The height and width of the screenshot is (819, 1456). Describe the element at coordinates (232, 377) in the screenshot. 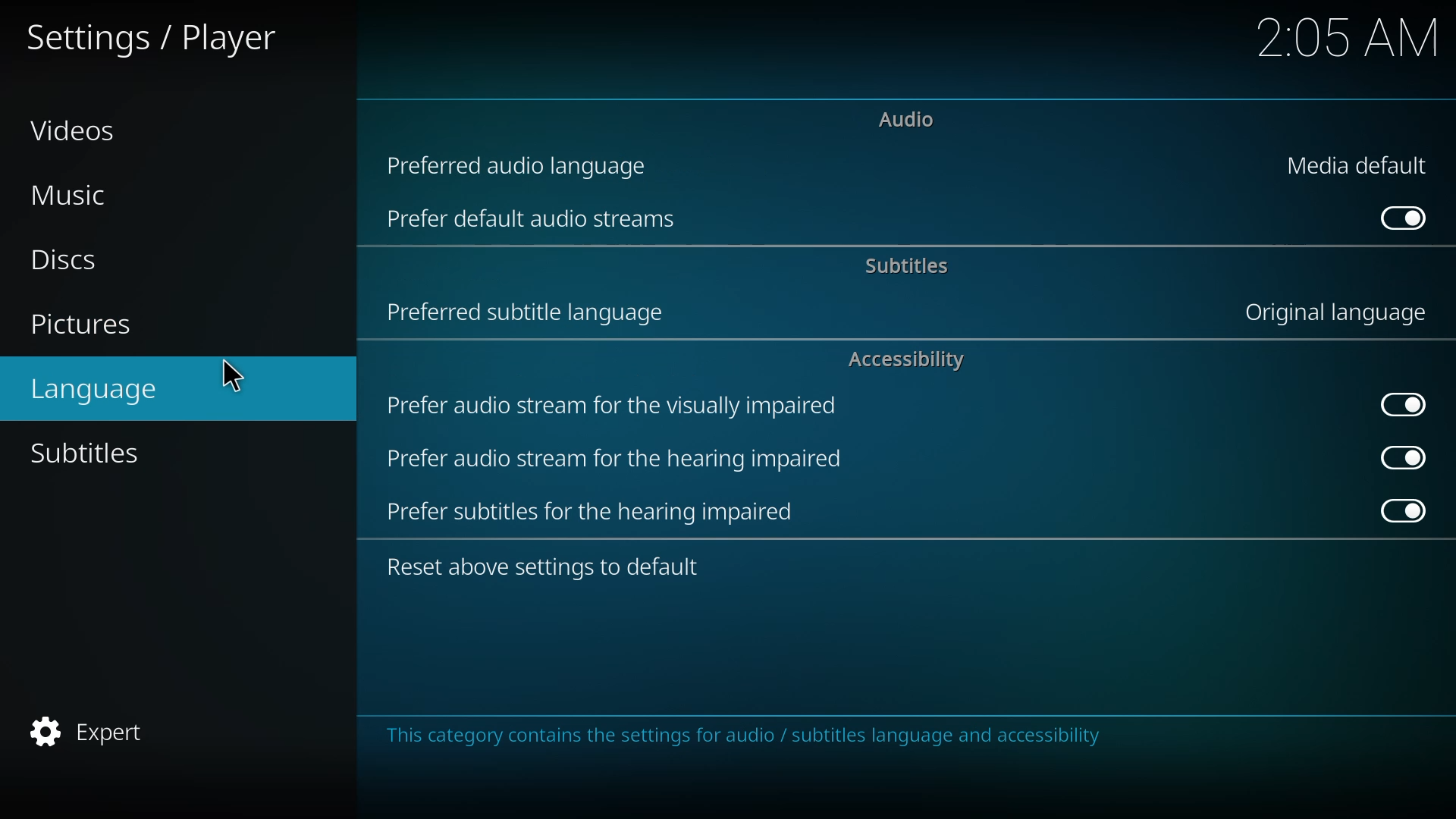

I see `cursor` at that location.